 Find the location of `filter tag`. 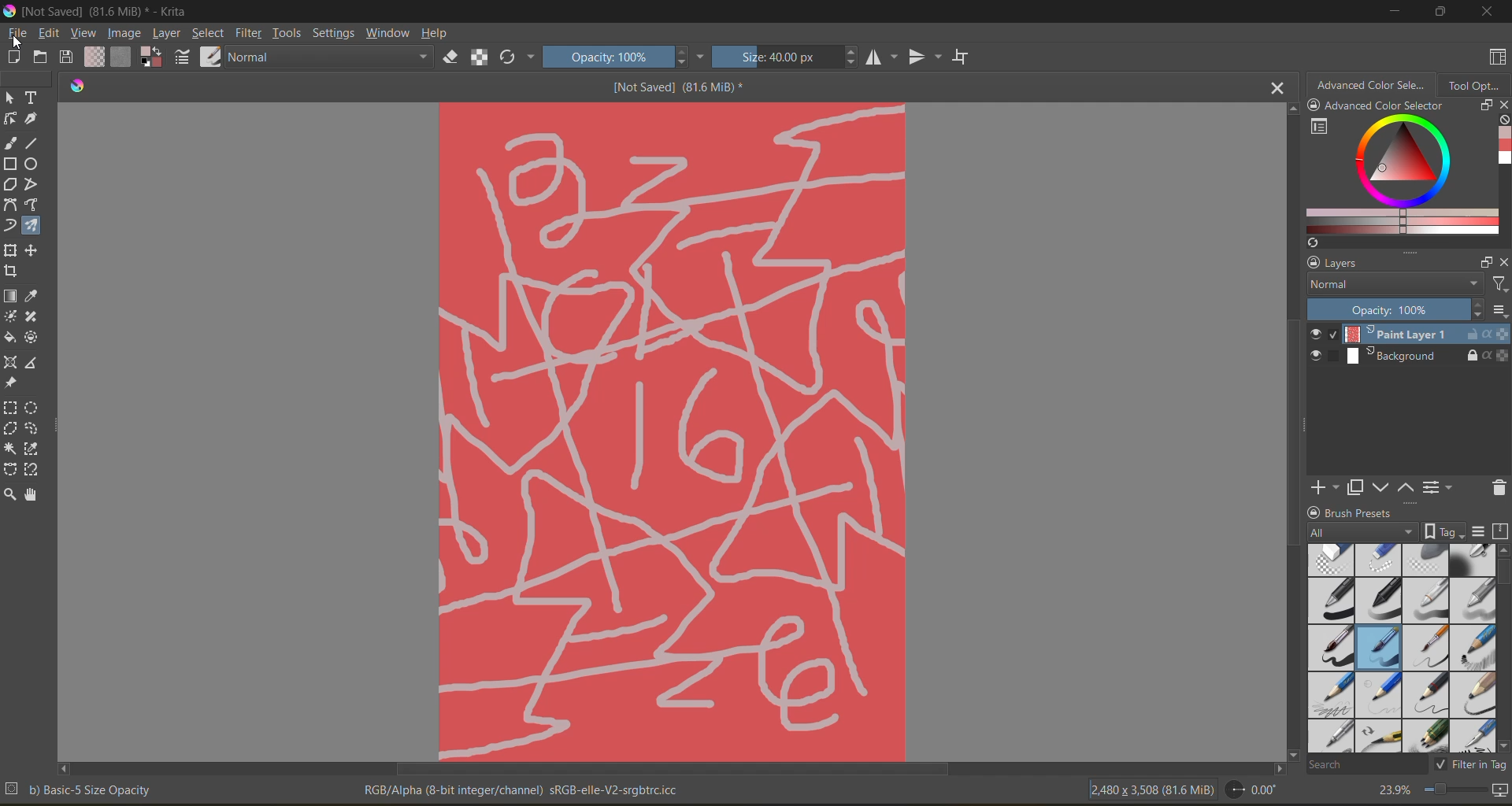

filter tag is located at coordinates (1468, 763).